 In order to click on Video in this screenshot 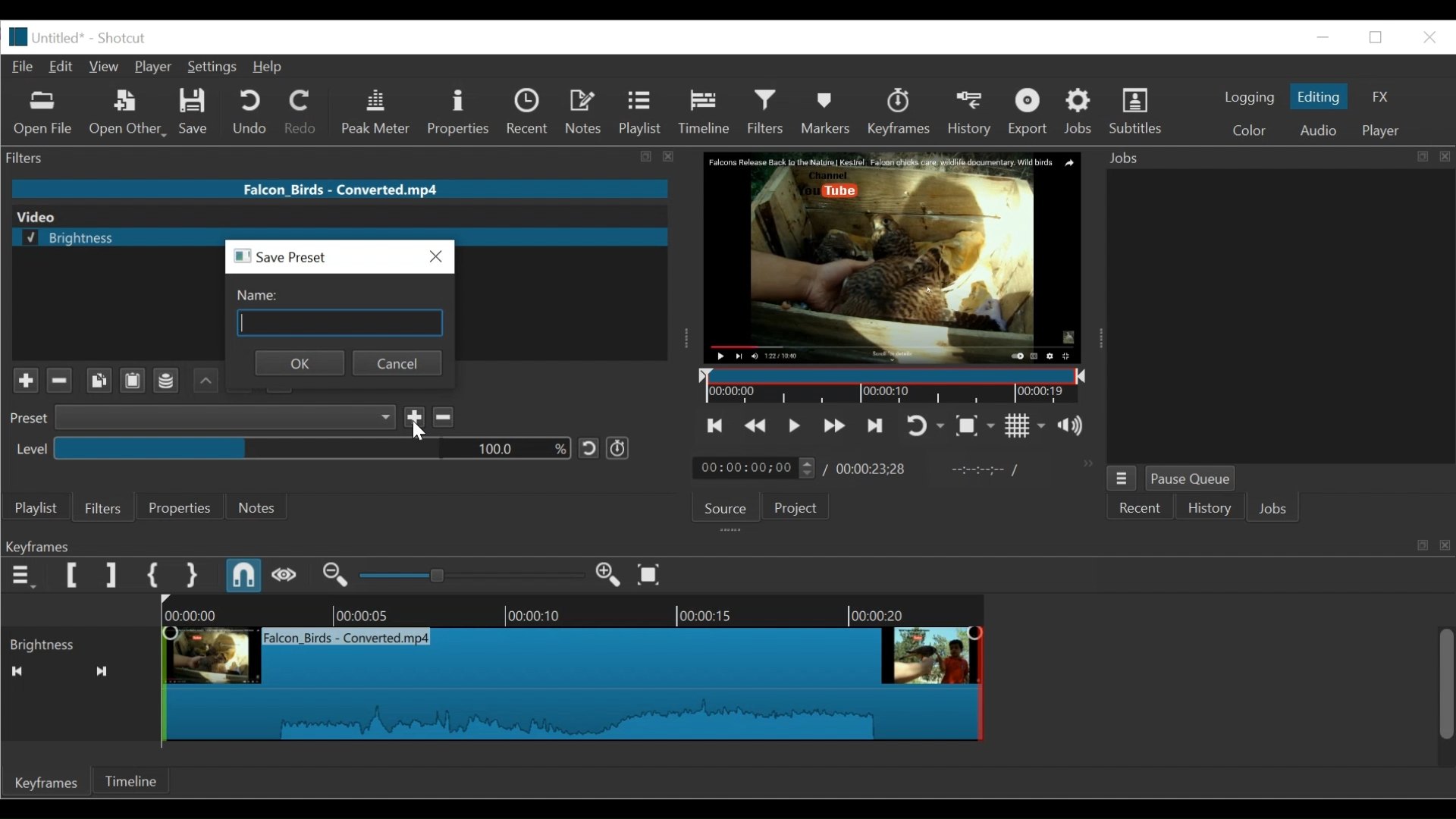, I will do `click(331, 216)`.